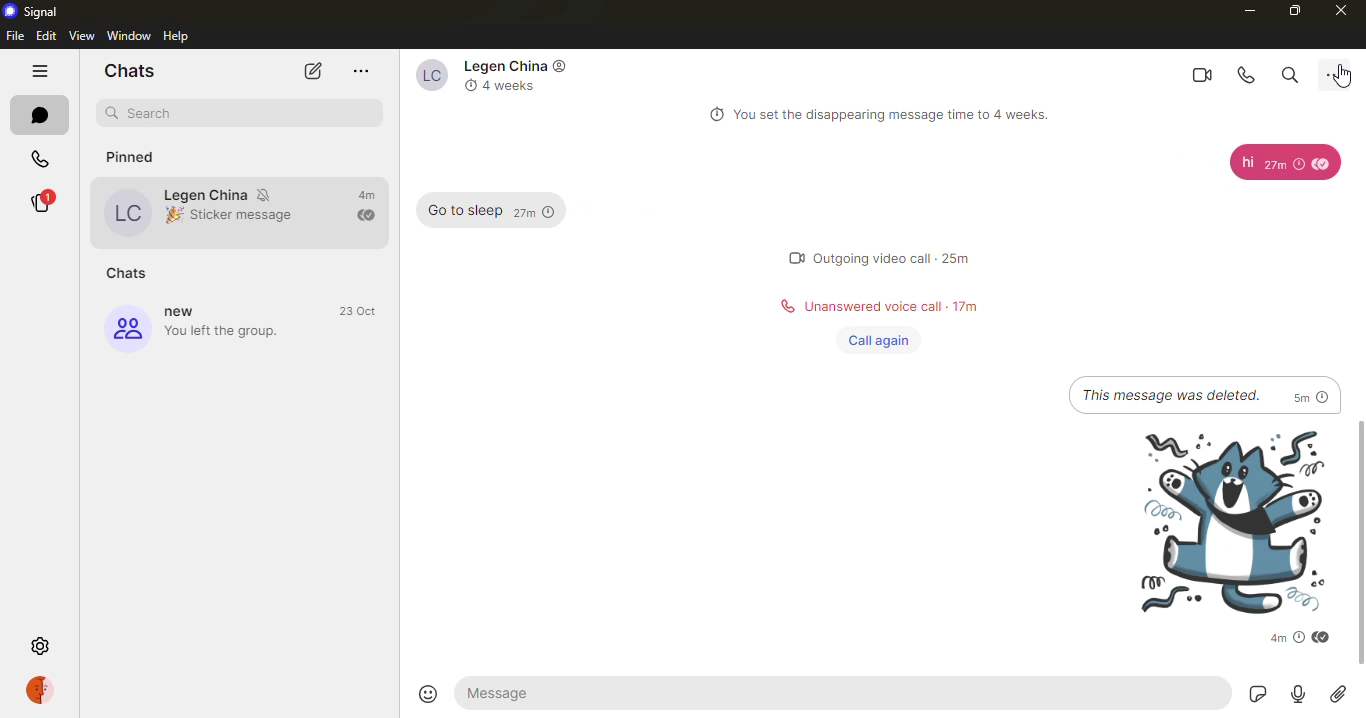 The width and height of the screenshot is (1366, 718). Describe the element at coordinates (1299, 694) in the screenshot. I see `record` at that location.